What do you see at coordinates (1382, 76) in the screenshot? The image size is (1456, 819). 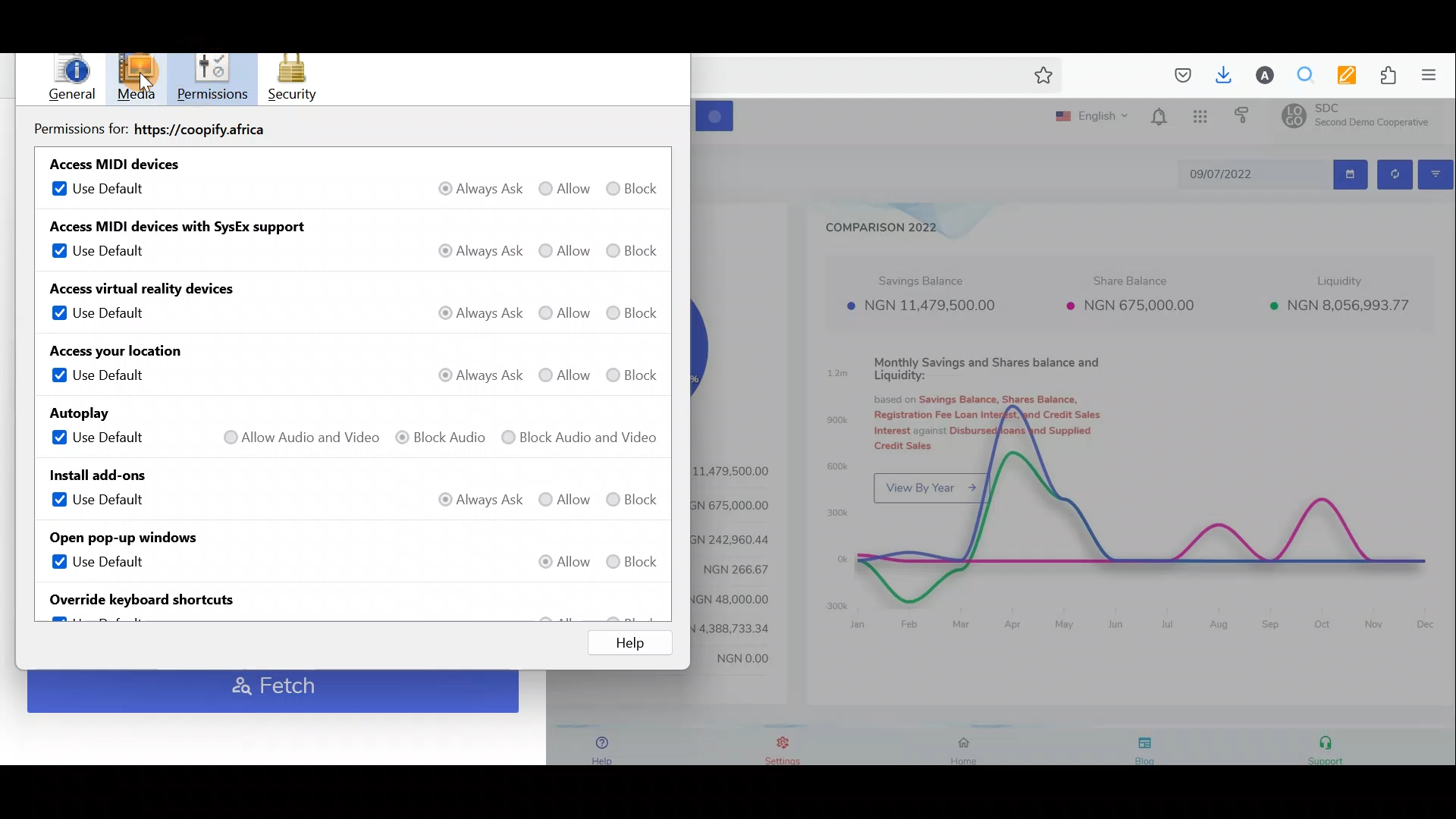 I see `Extension` at bounding box center [1382, 76].